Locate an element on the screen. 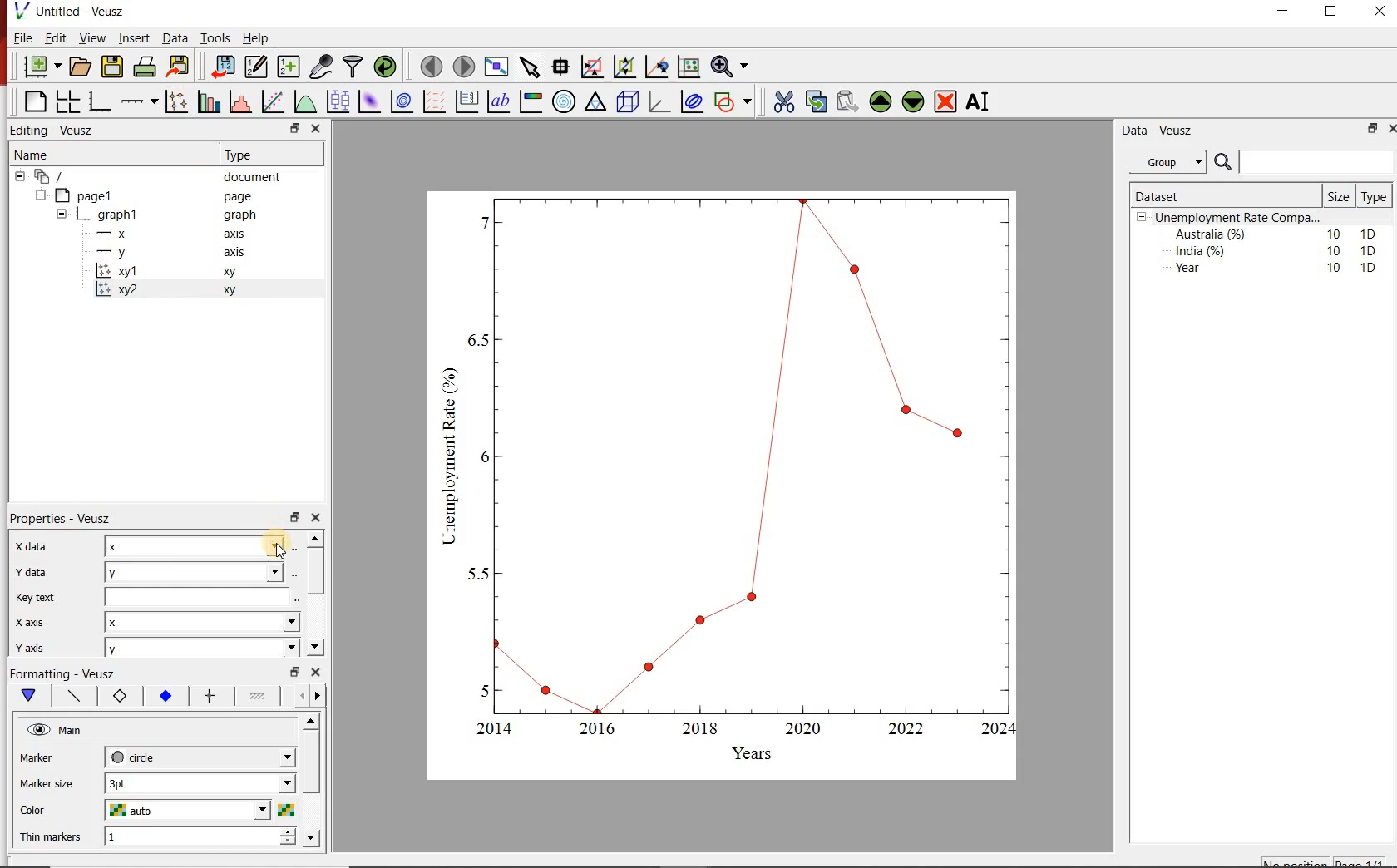 This screenshot has height=868, width=1397. plot covariance ellipses is located at coordinates (693, 101).